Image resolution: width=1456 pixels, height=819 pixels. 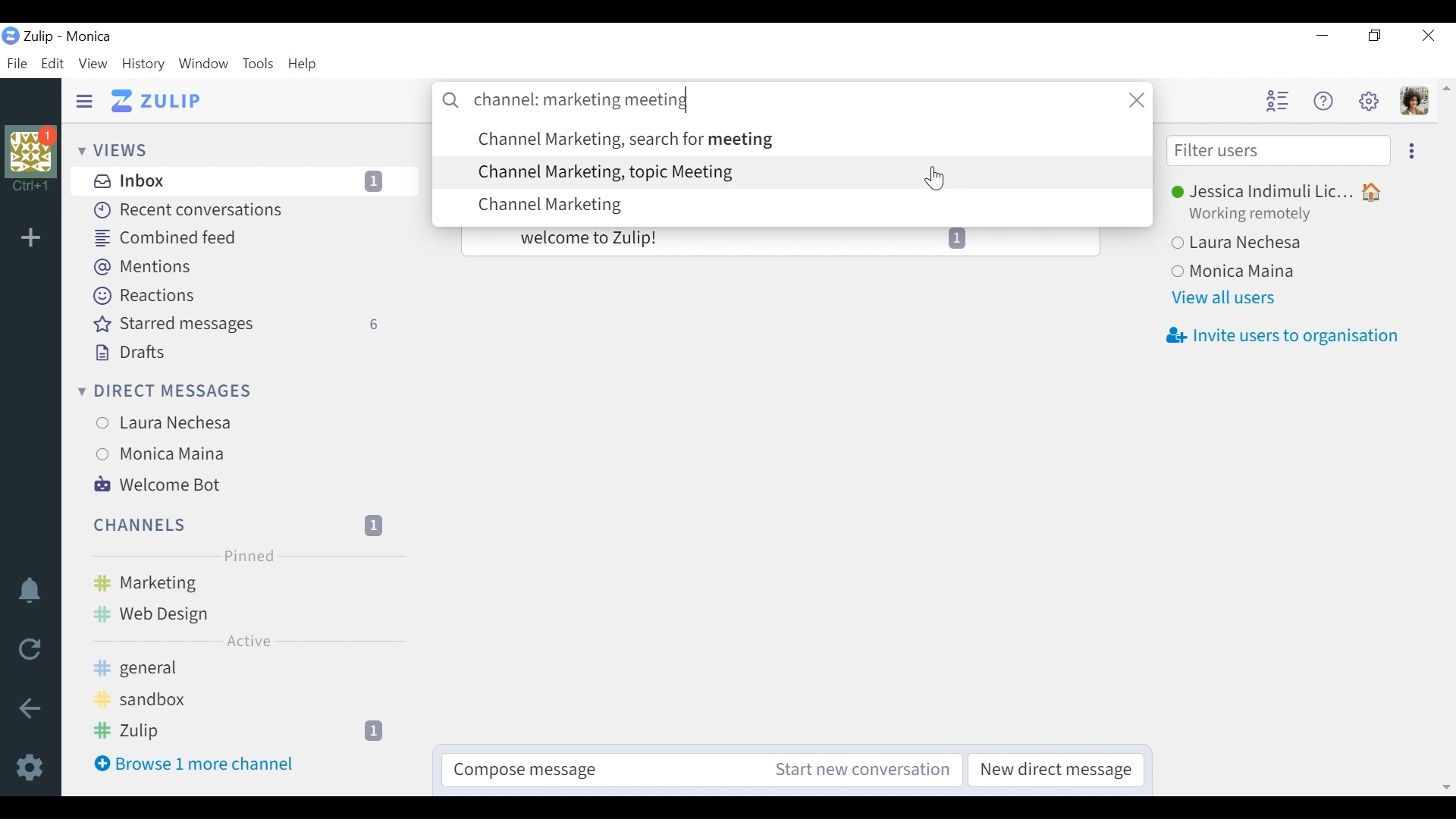 What do you see at coordinates (258, 64) in the screenshot?
I see `Tools` at bounding box center [258, 64].